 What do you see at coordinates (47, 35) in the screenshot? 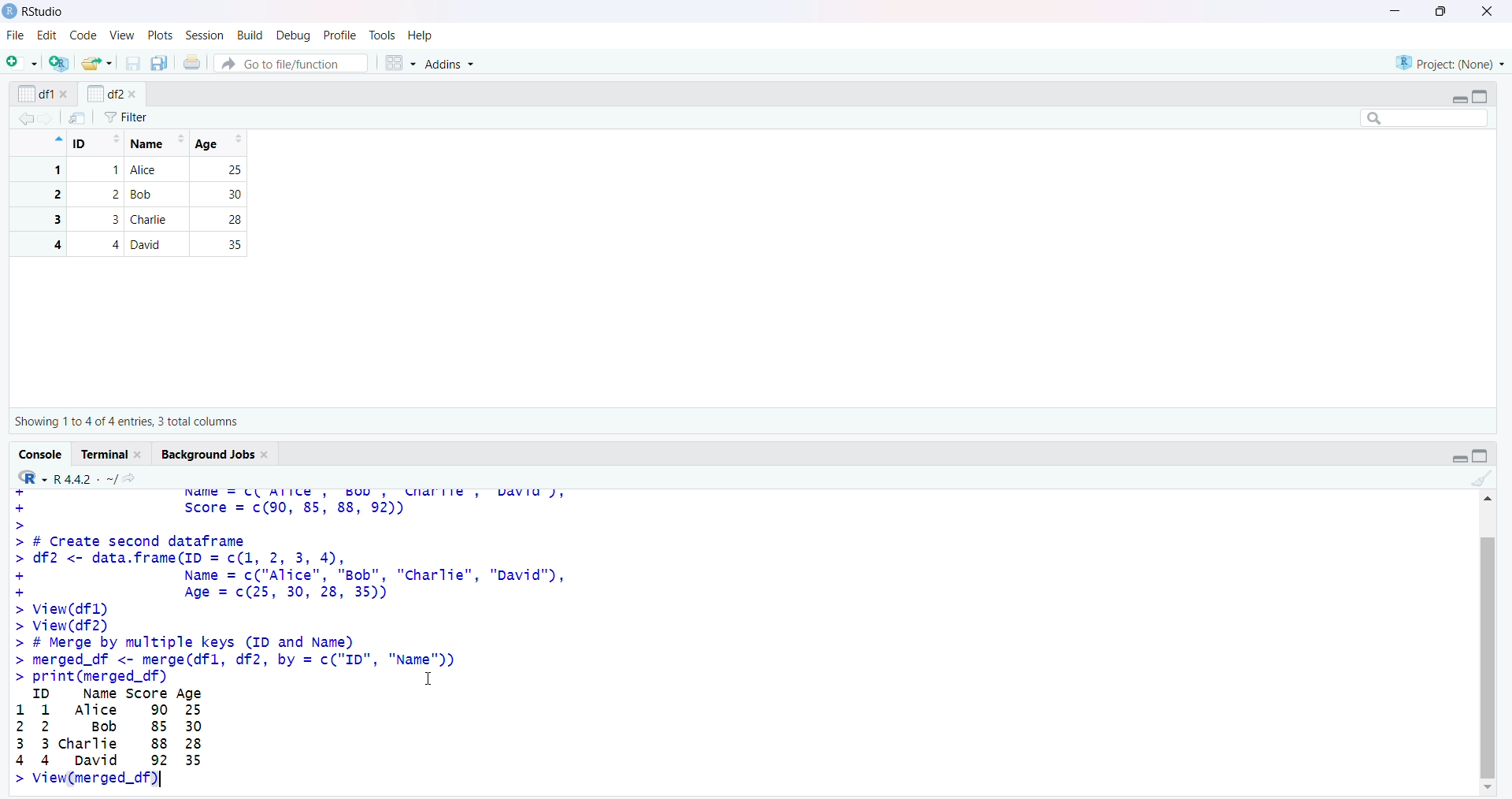
I see `edit` at bounding box center [47, 35].